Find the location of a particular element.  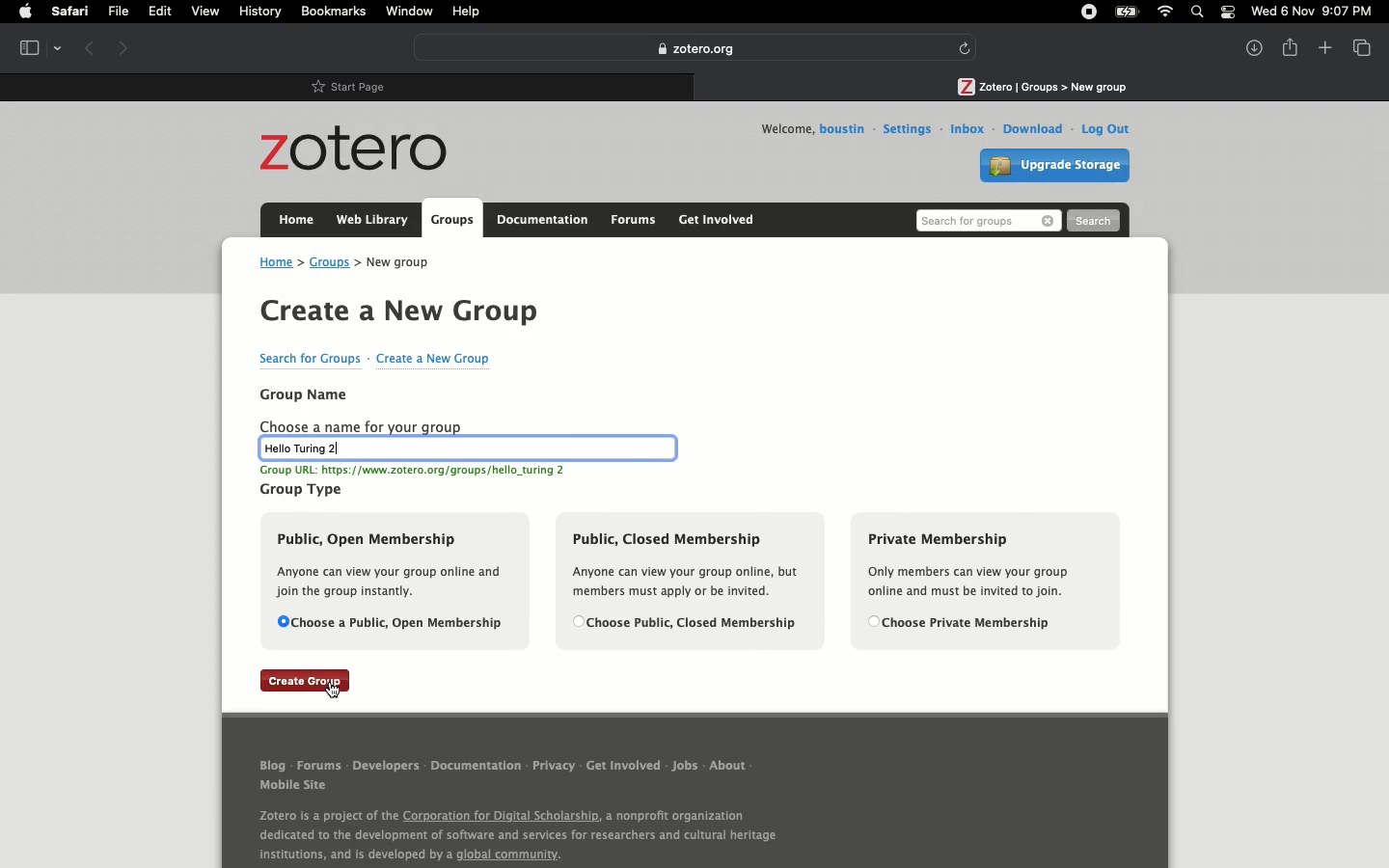

Download is located at coordinates (1032, 128).